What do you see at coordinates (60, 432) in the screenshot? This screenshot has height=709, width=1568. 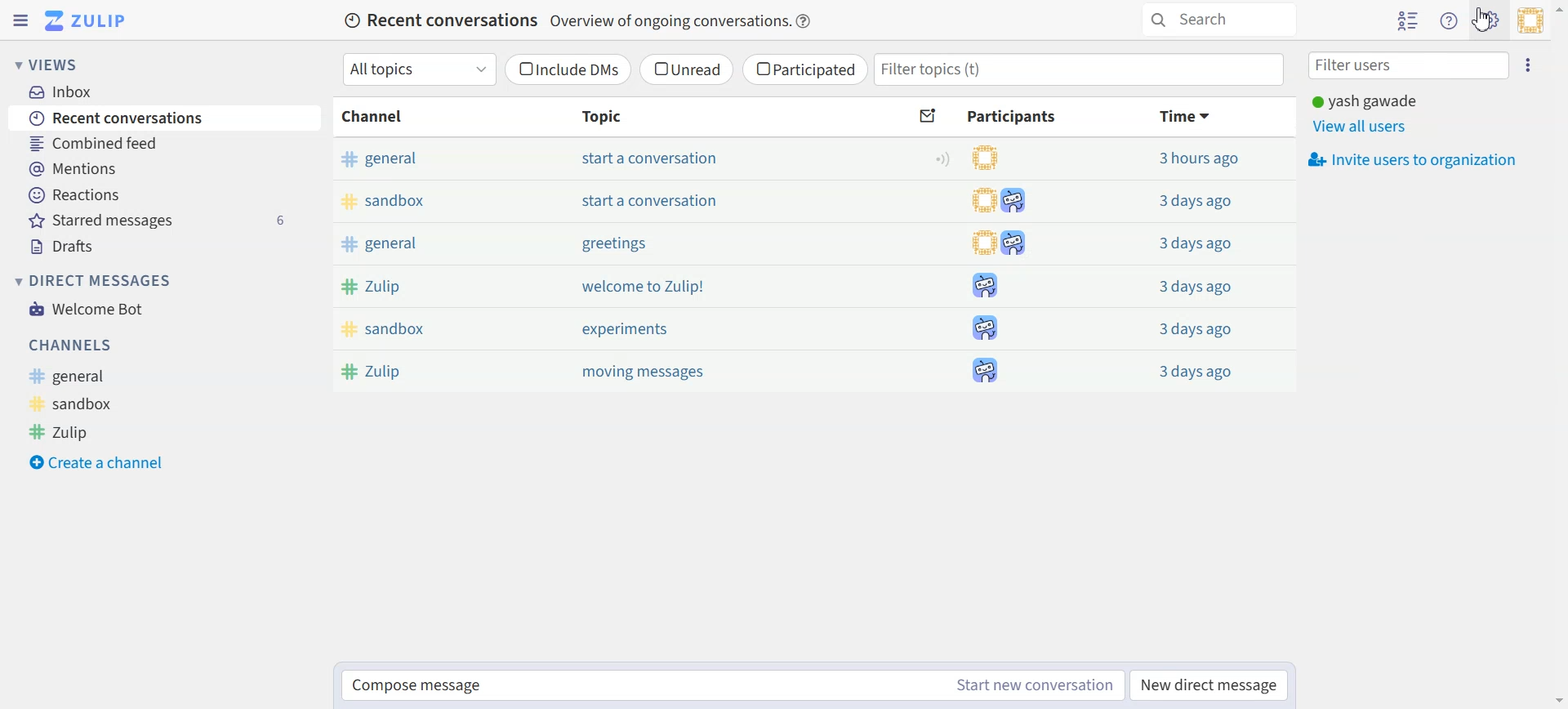 I see `Zulip` at bounding box center [60, 432].